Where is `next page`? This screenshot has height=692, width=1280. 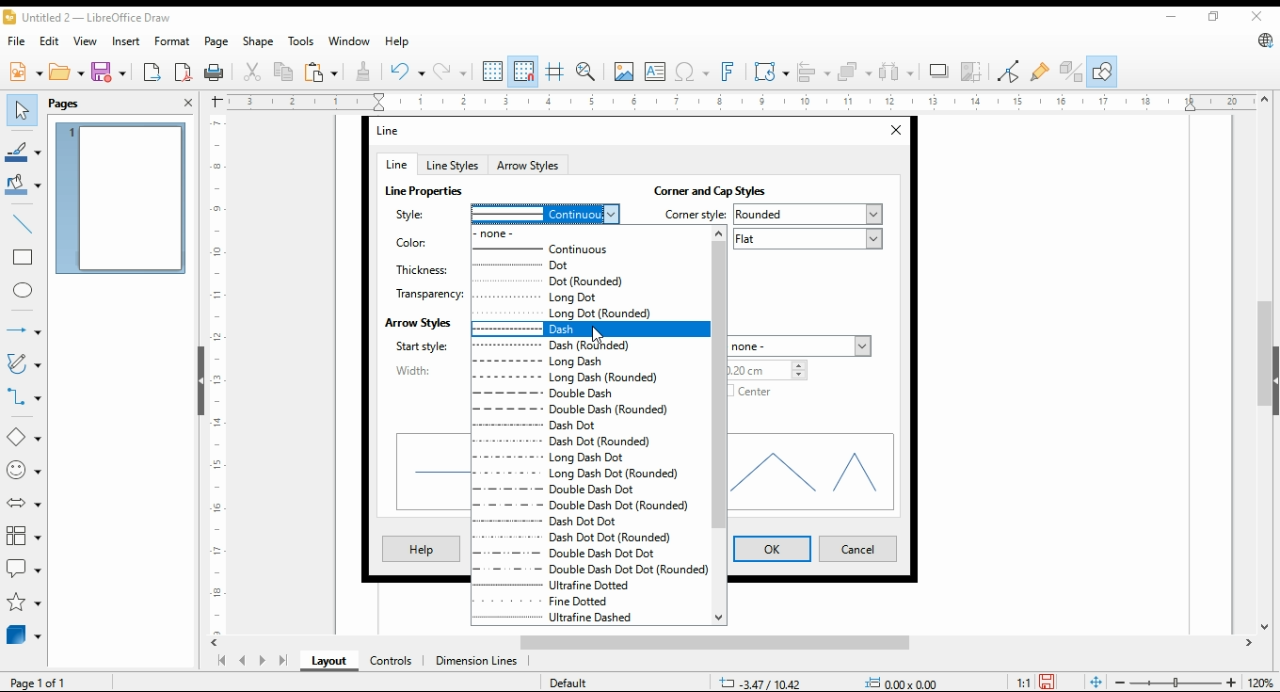
next page is located at coordinates (261, 661).